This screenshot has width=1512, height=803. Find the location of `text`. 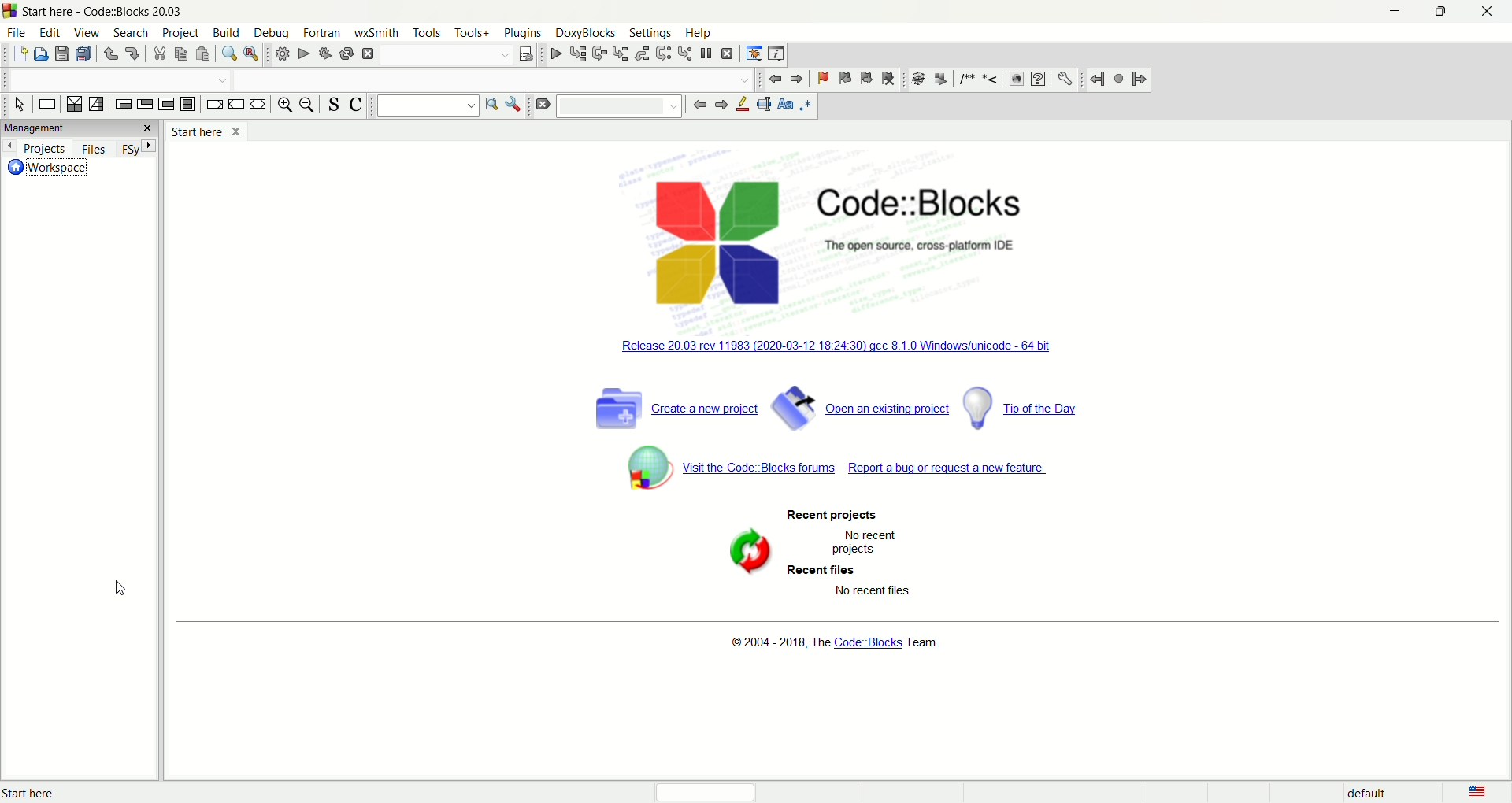

text is located at coordinates (49, 793).